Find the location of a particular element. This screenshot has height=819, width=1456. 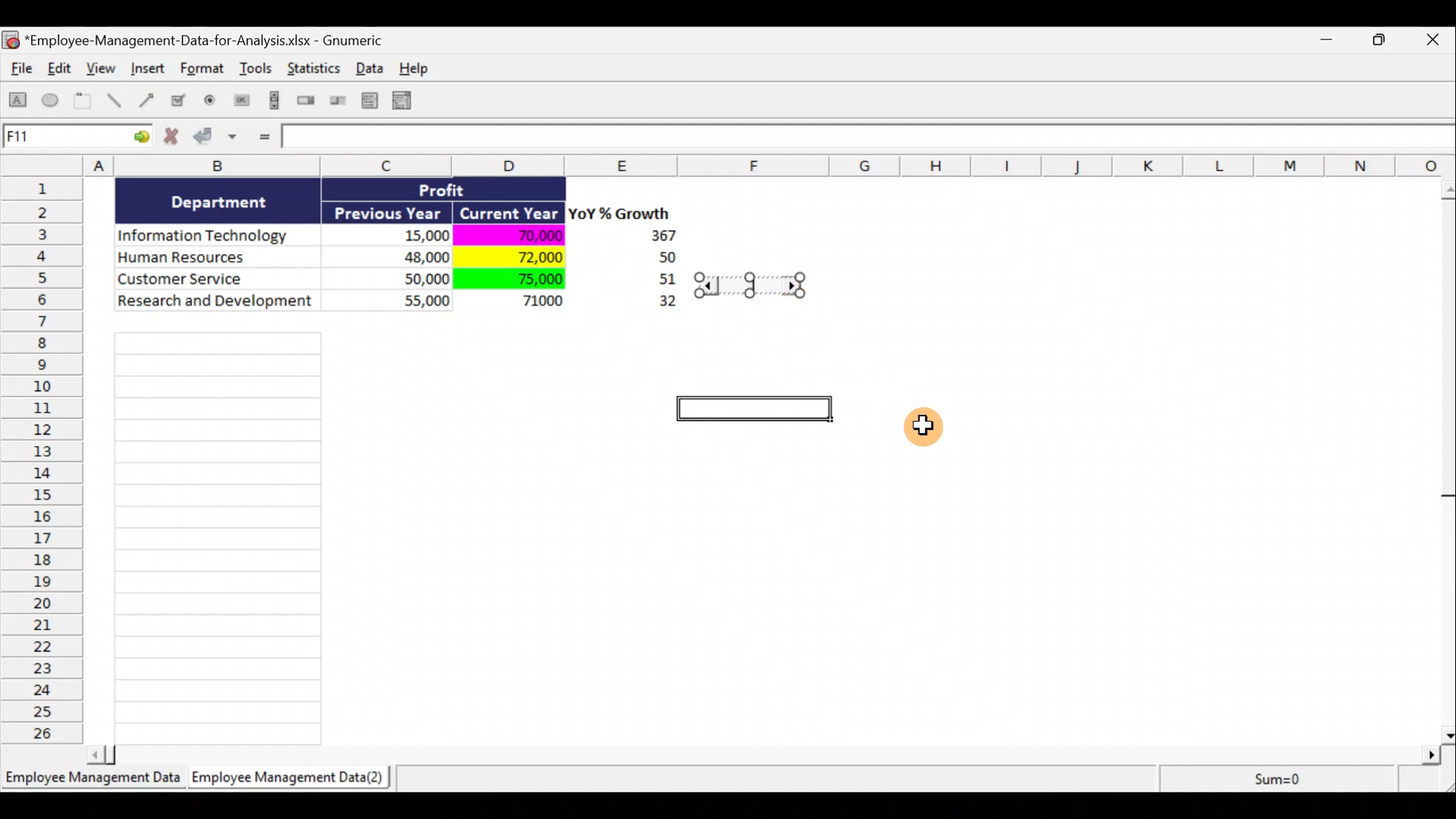

Edit is located at coordinates (61, 70).